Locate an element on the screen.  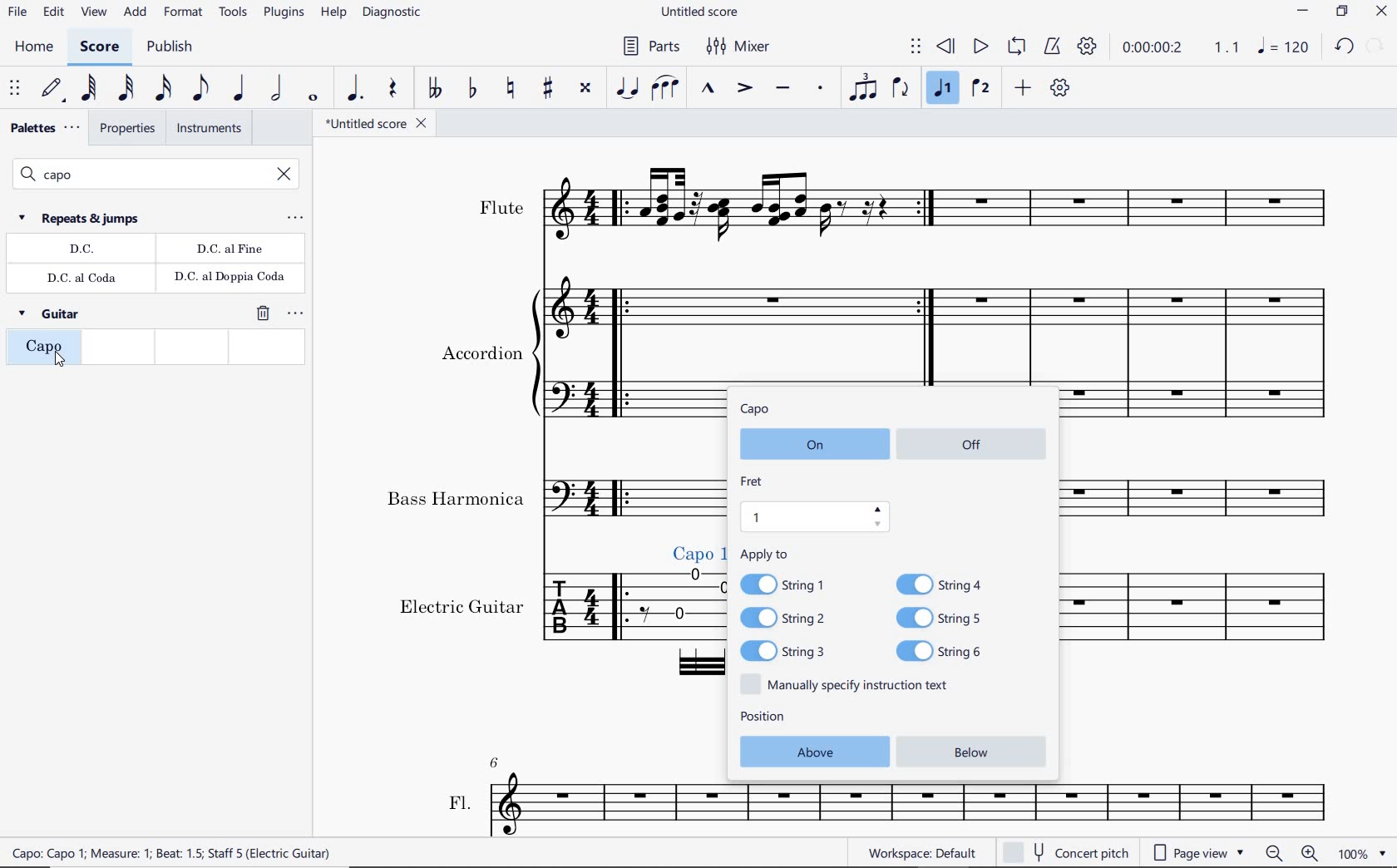
restore down is located at coordinates (1341, 12).